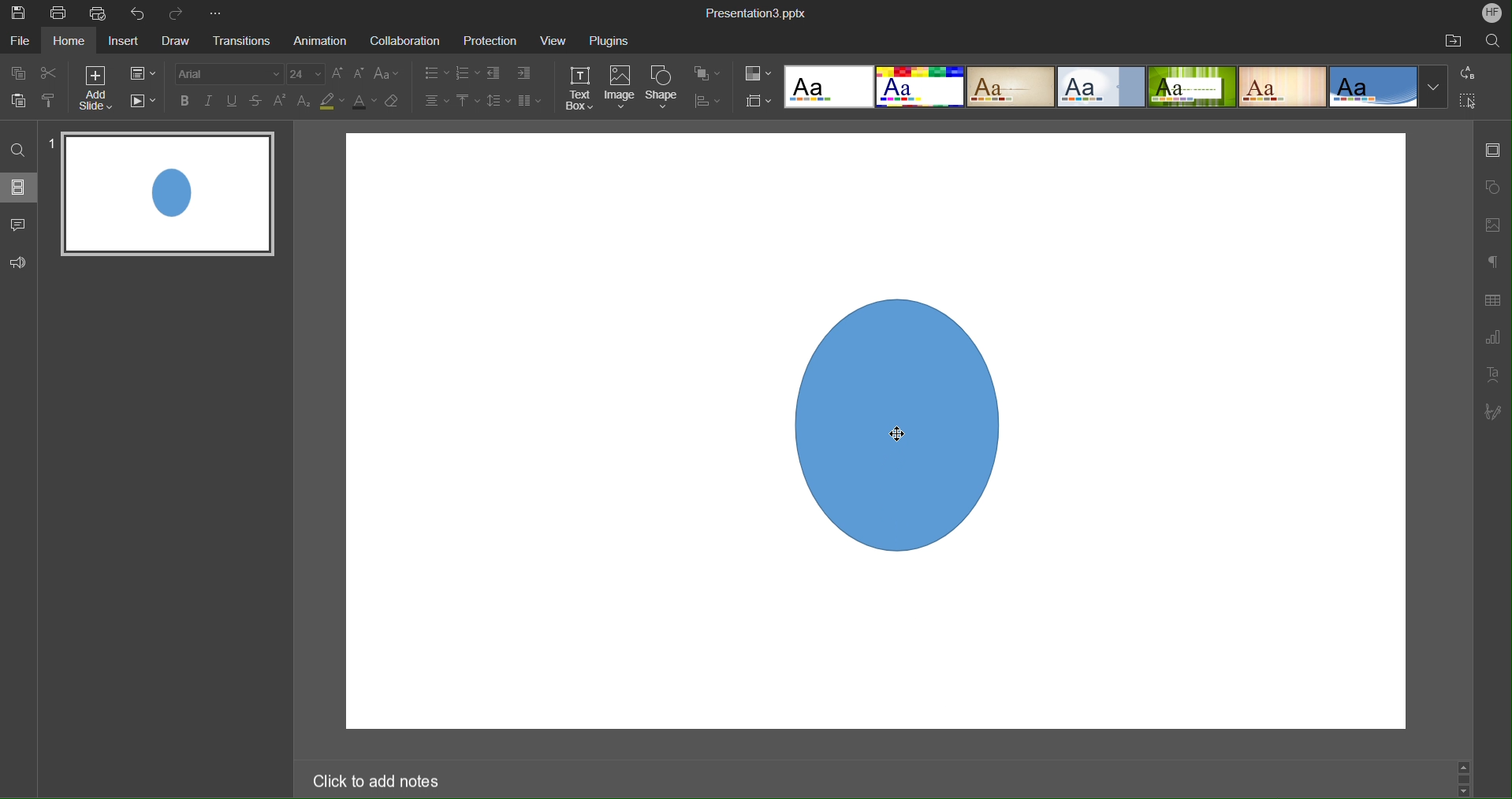  What do you see at coordinates (378, 781) in the screenshot?
I see `Click to add notes` at bounding box center [378, 781].